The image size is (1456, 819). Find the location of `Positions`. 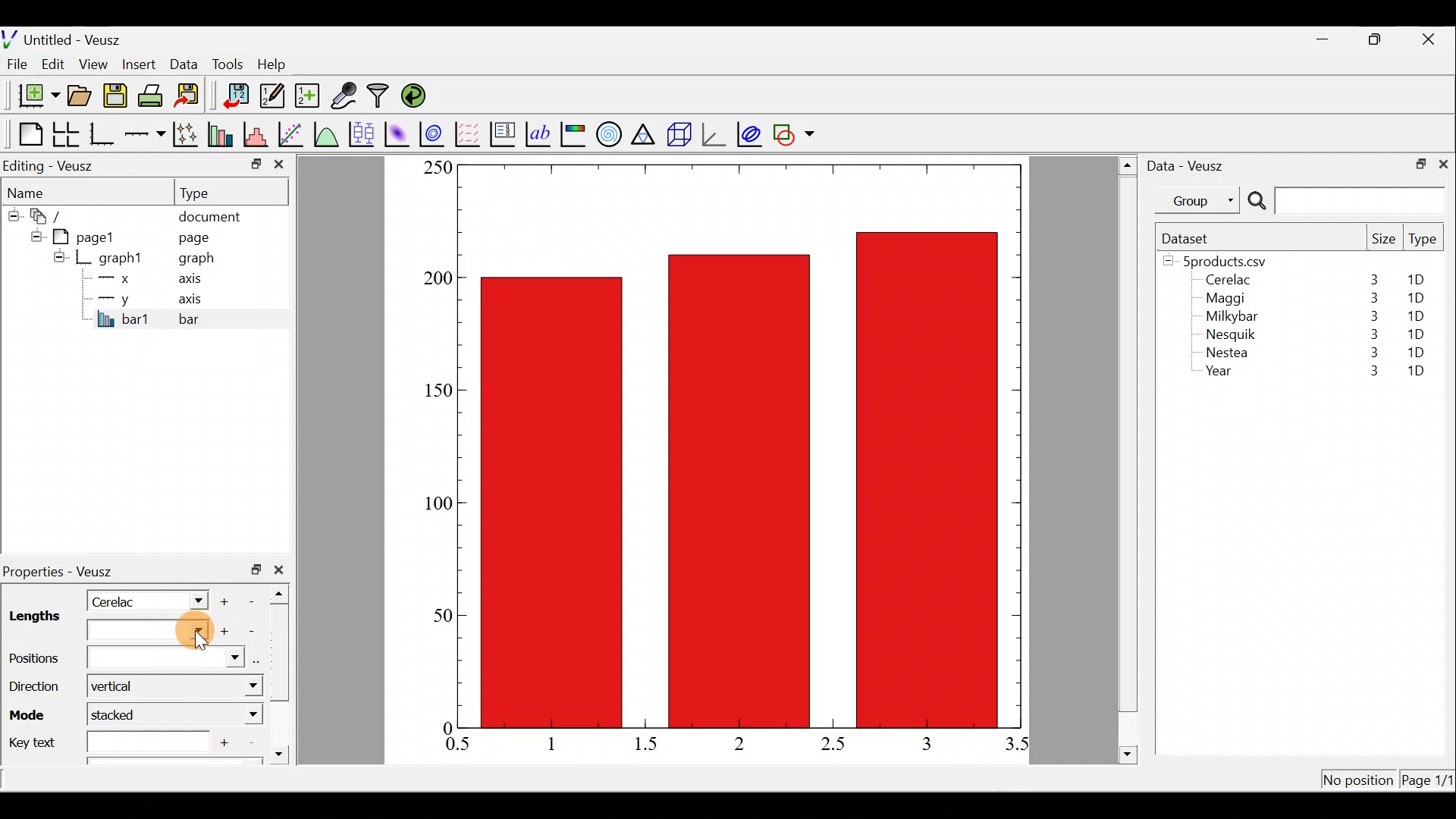

Positions is located at coordinates (127, 659).